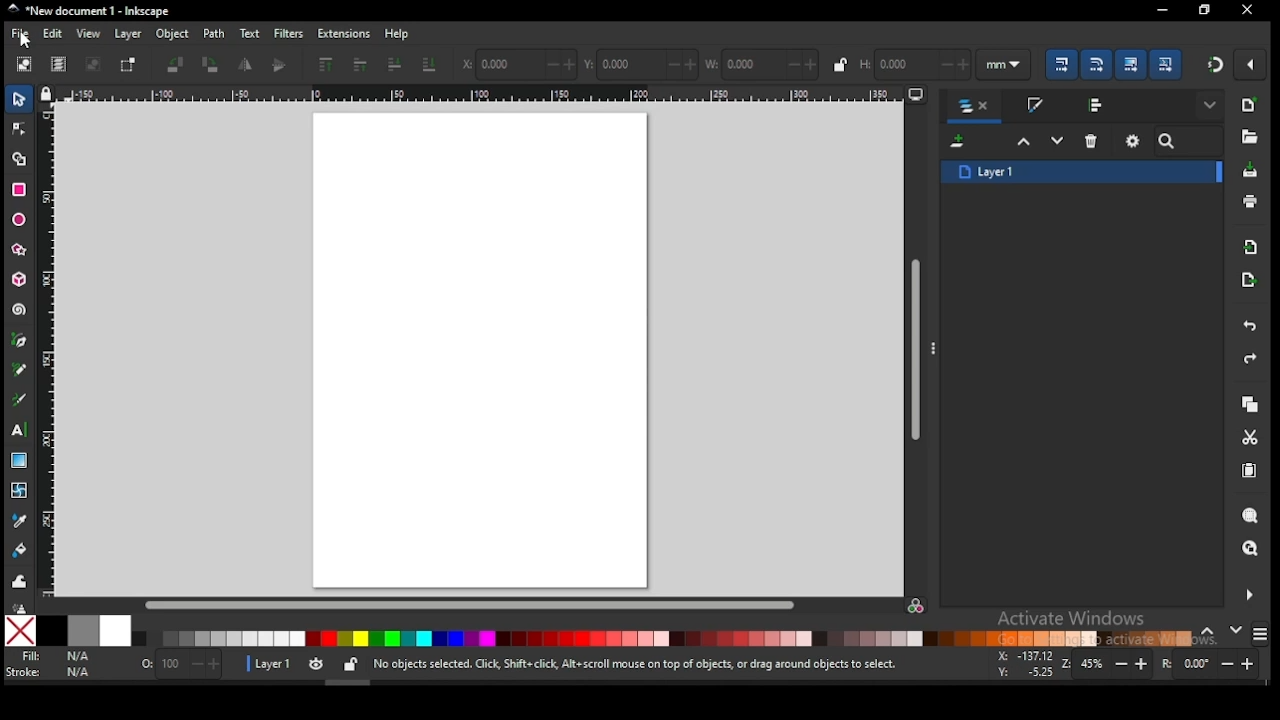  Describe the element at coordinates (344, 34) in the screenshot. I see `extensions` at that location.